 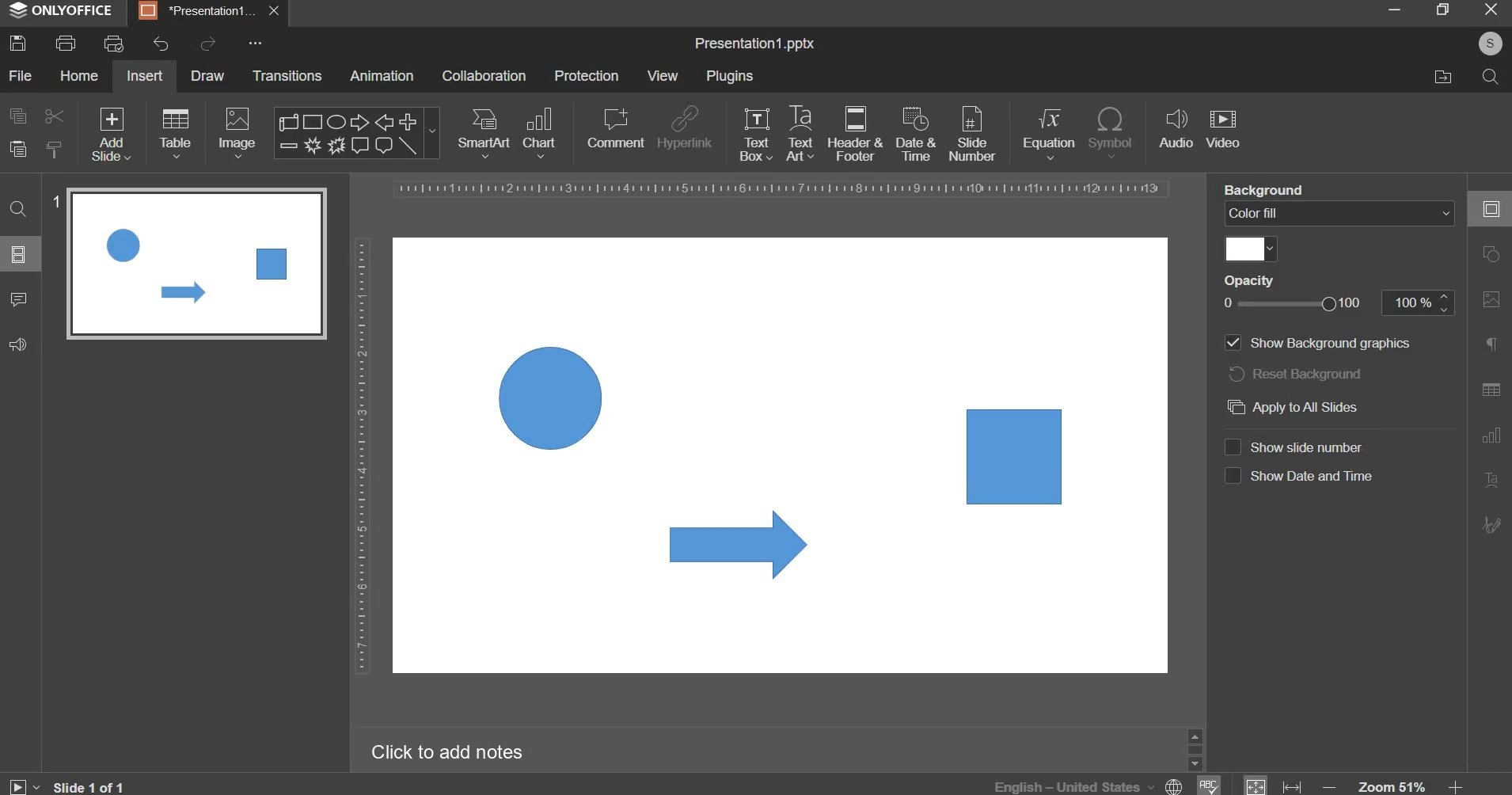 I want to click on close, so click(x=276, y=13).